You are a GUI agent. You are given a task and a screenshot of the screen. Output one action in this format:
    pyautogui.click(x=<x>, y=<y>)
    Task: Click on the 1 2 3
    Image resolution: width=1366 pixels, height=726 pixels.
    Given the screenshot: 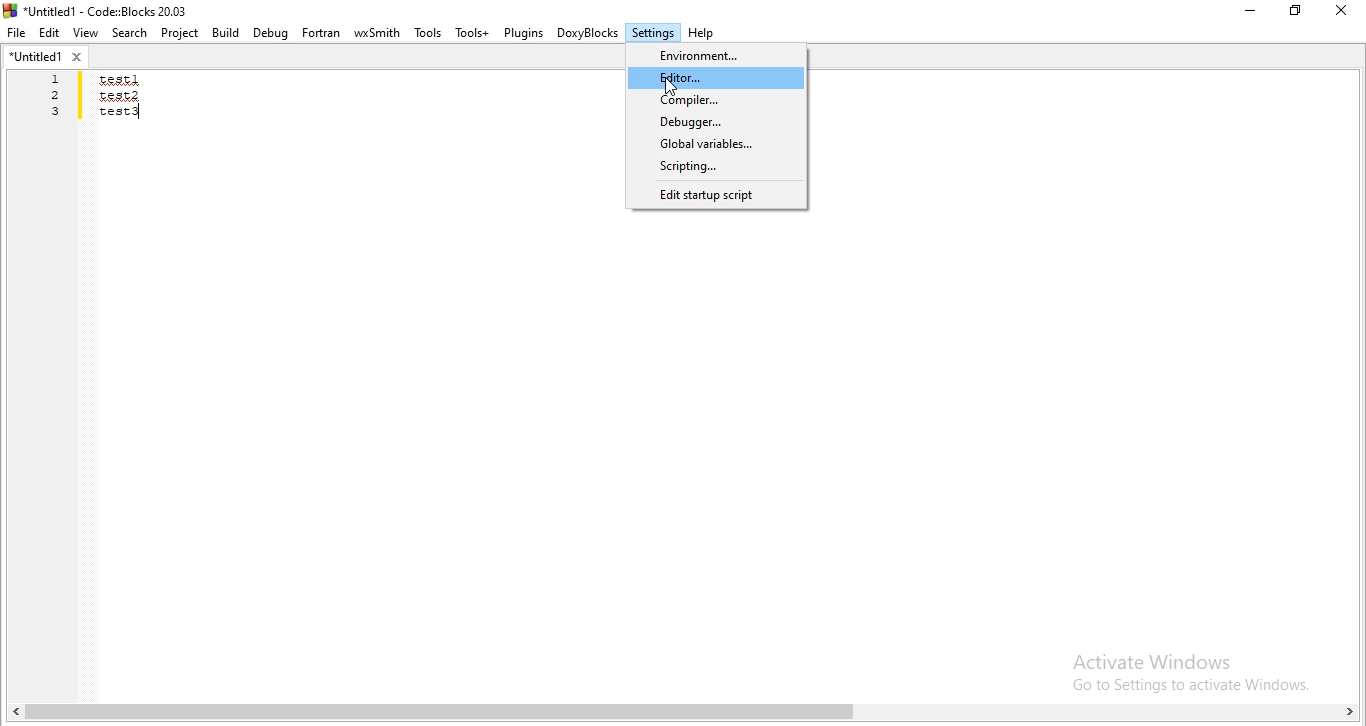 What is the action you would take?
    pyautogui.click(x=57, y=96)
    